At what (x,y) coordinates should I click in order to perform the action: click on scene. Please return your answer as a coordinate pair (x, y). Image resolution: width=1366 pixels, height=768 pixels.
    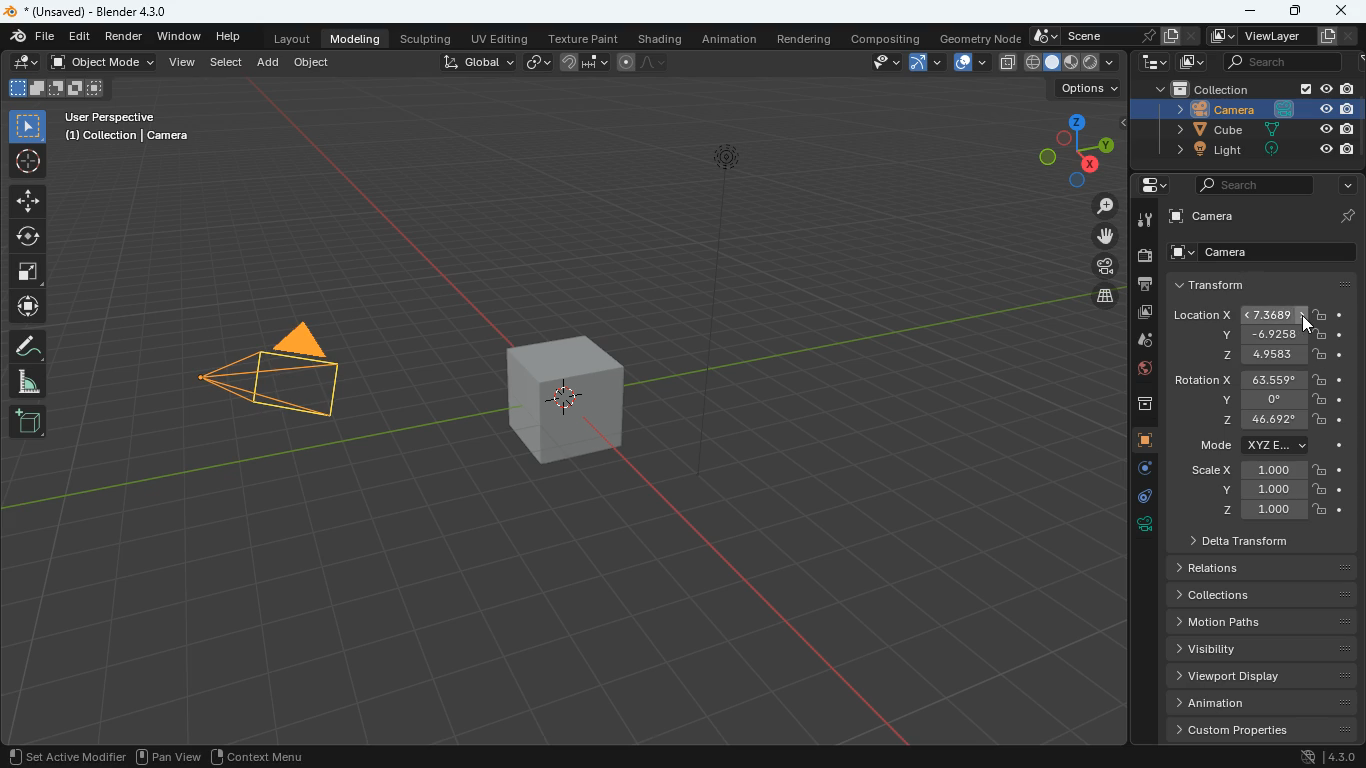
    Looking at the image, I should click on (1095, 36).